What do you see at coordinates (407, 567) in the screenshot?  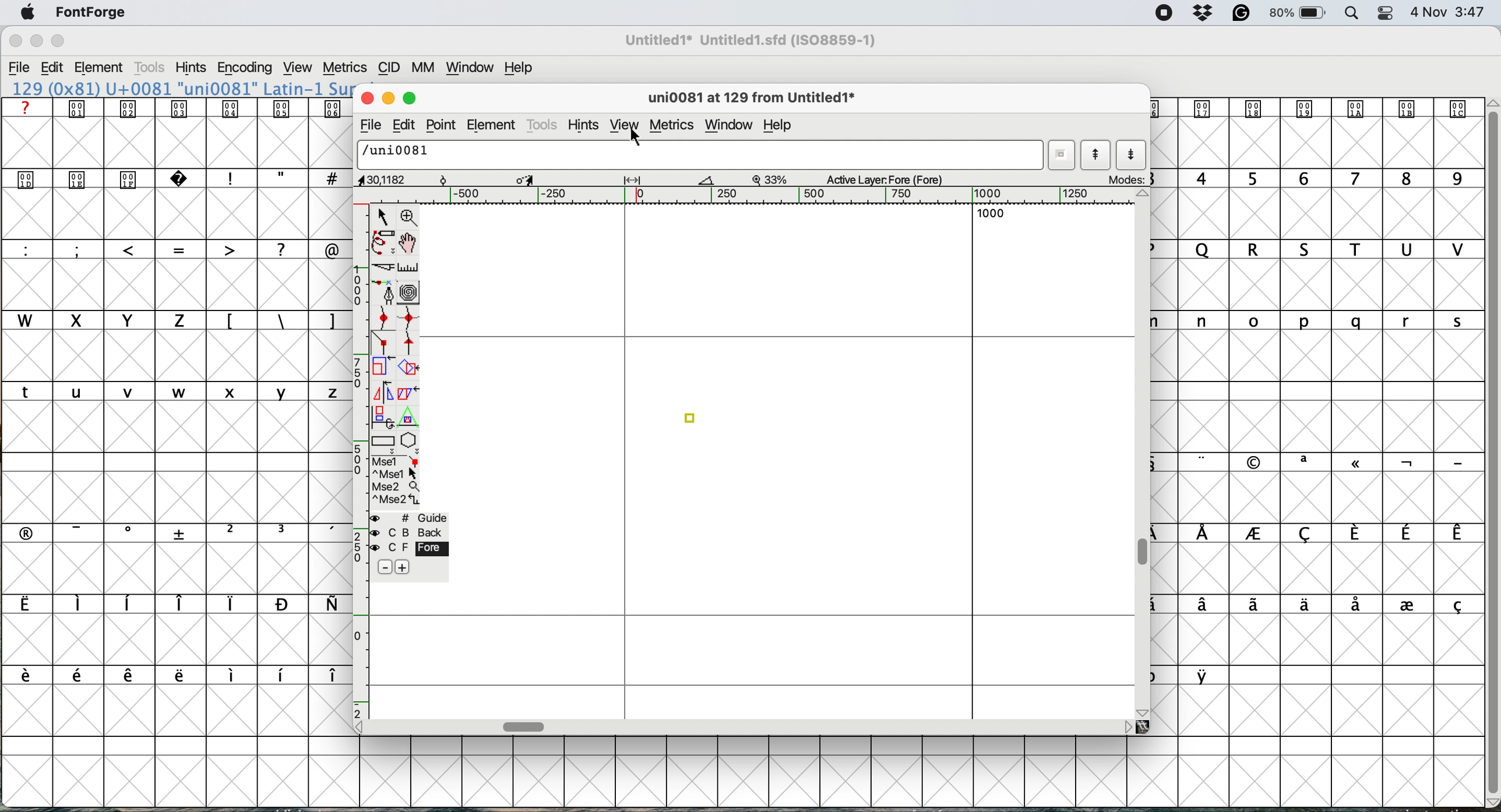 I see `add` at bounding box center [407, 567].